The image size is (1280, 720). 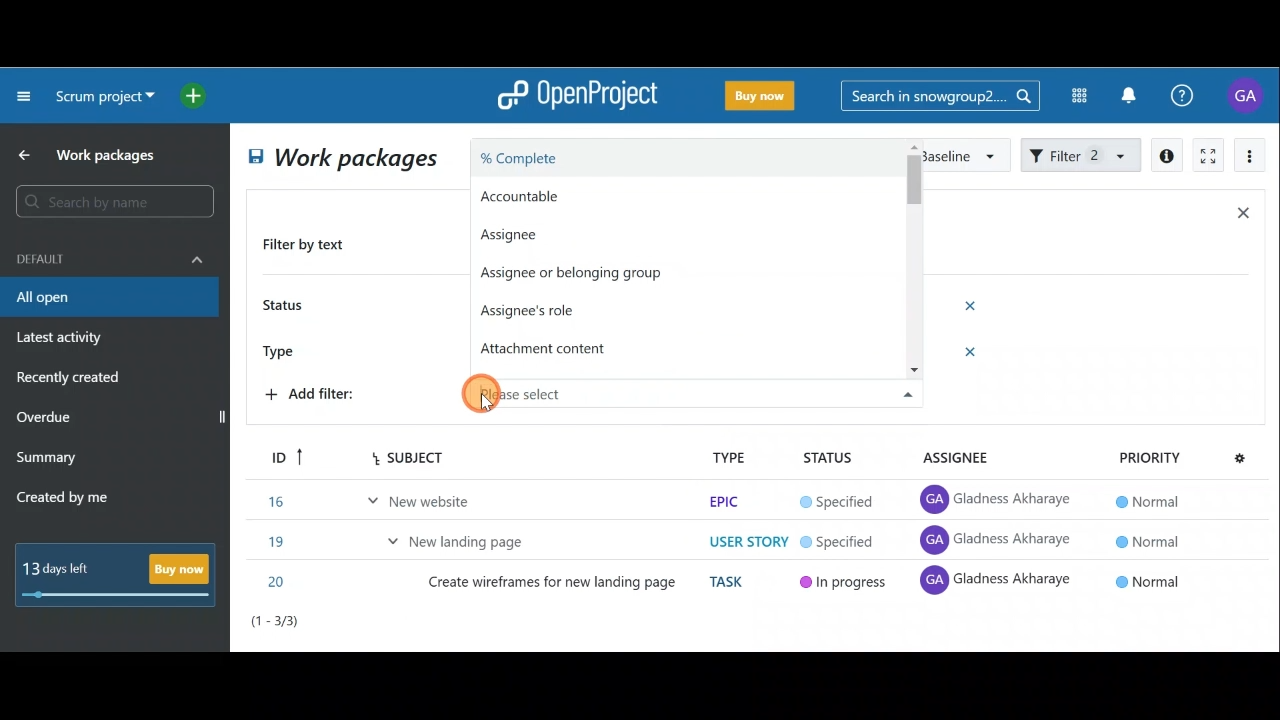 I want to click on Menu bar, so click(x=382, y=457).